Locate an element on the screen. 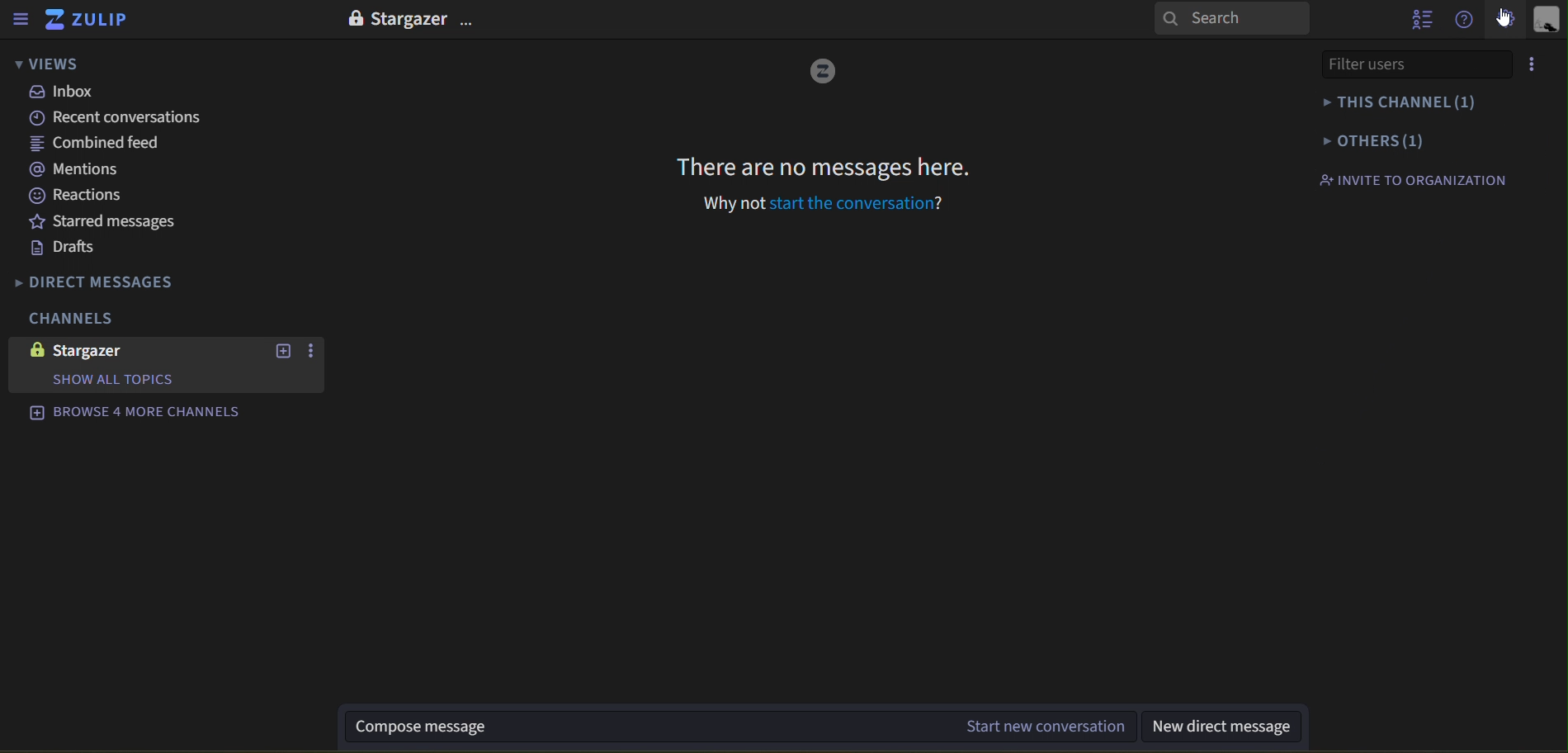 This screenshot has height=753, width=1568. this channel(1) is located at coordinates (1401, 102).